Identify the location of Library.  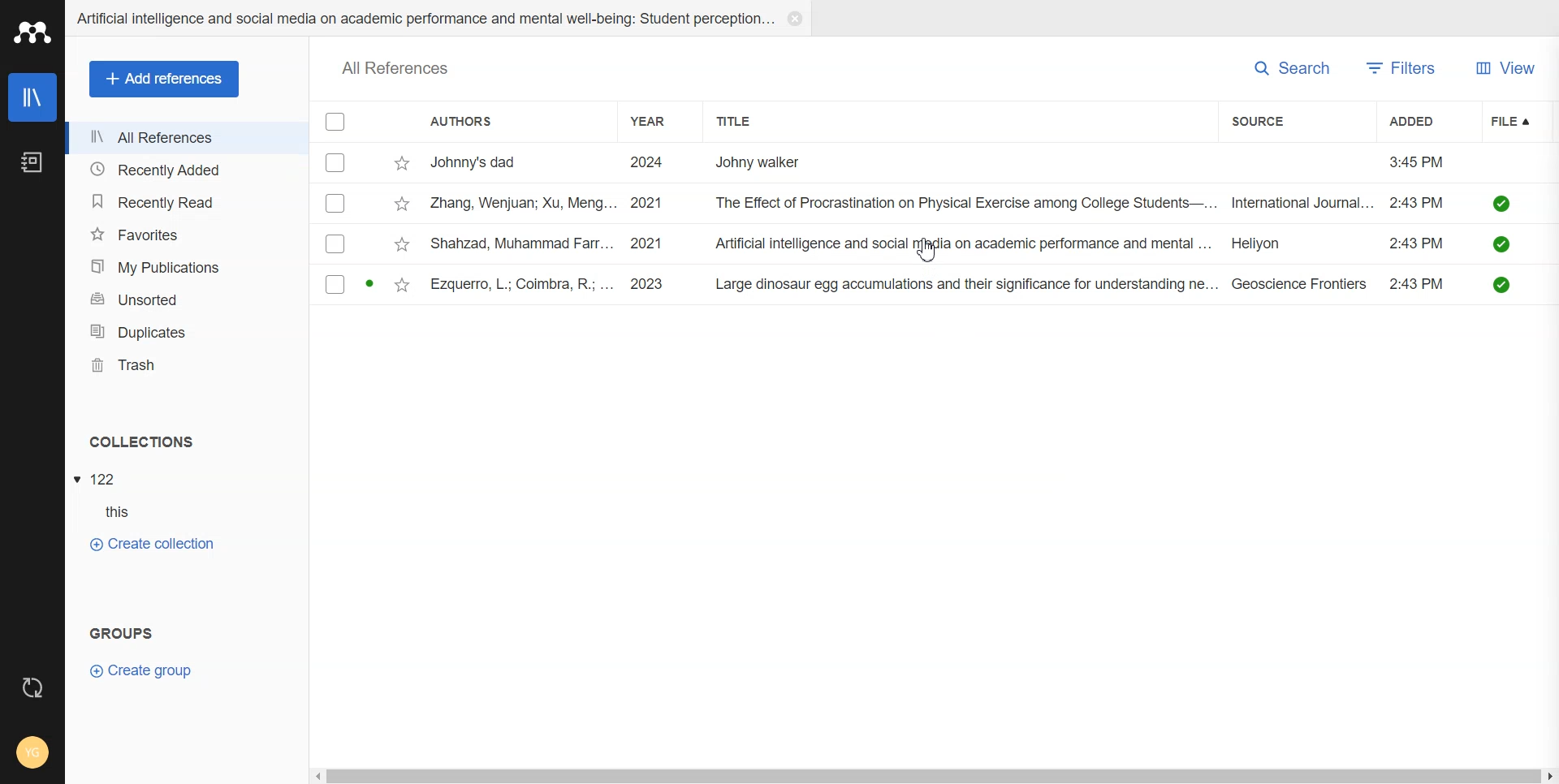
(34, 97).